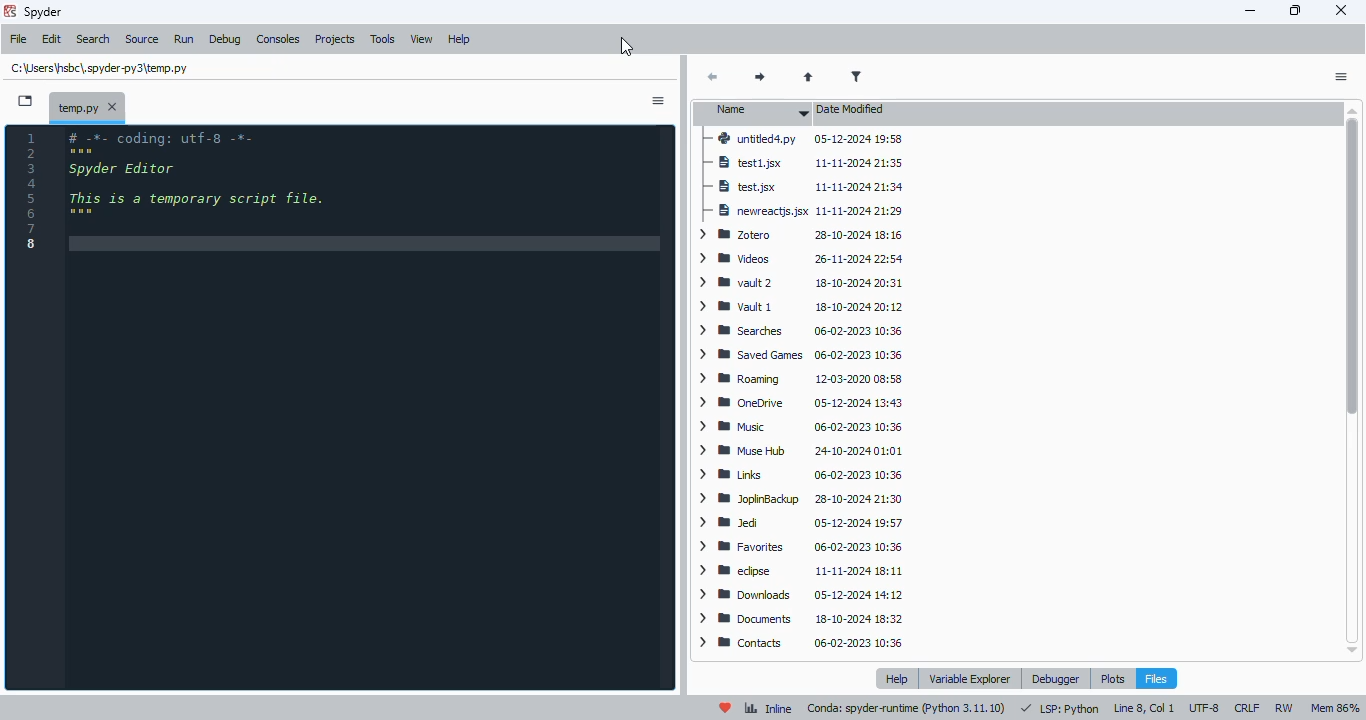 The width and height of the screenshot is (1366, 720). I want to click on Links, so click(805, 475).